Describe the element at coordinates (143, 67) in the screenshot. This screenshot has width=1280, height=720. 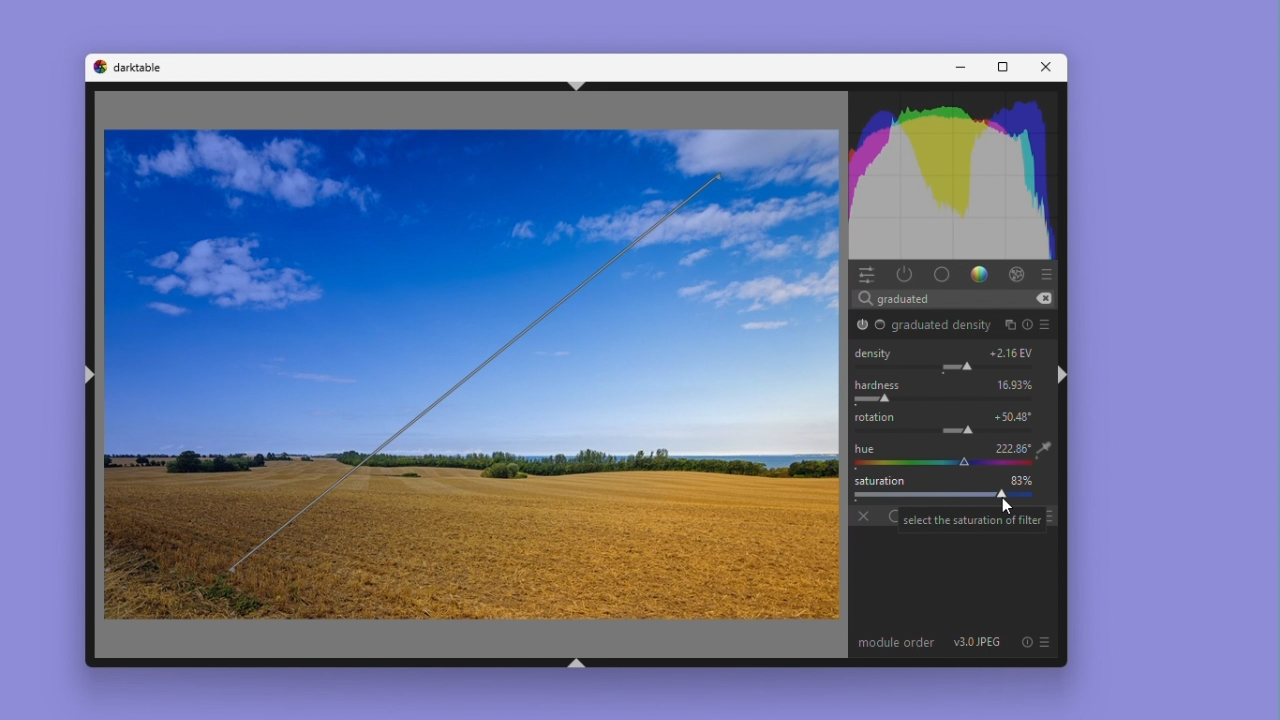
I see `darktable` at that location.